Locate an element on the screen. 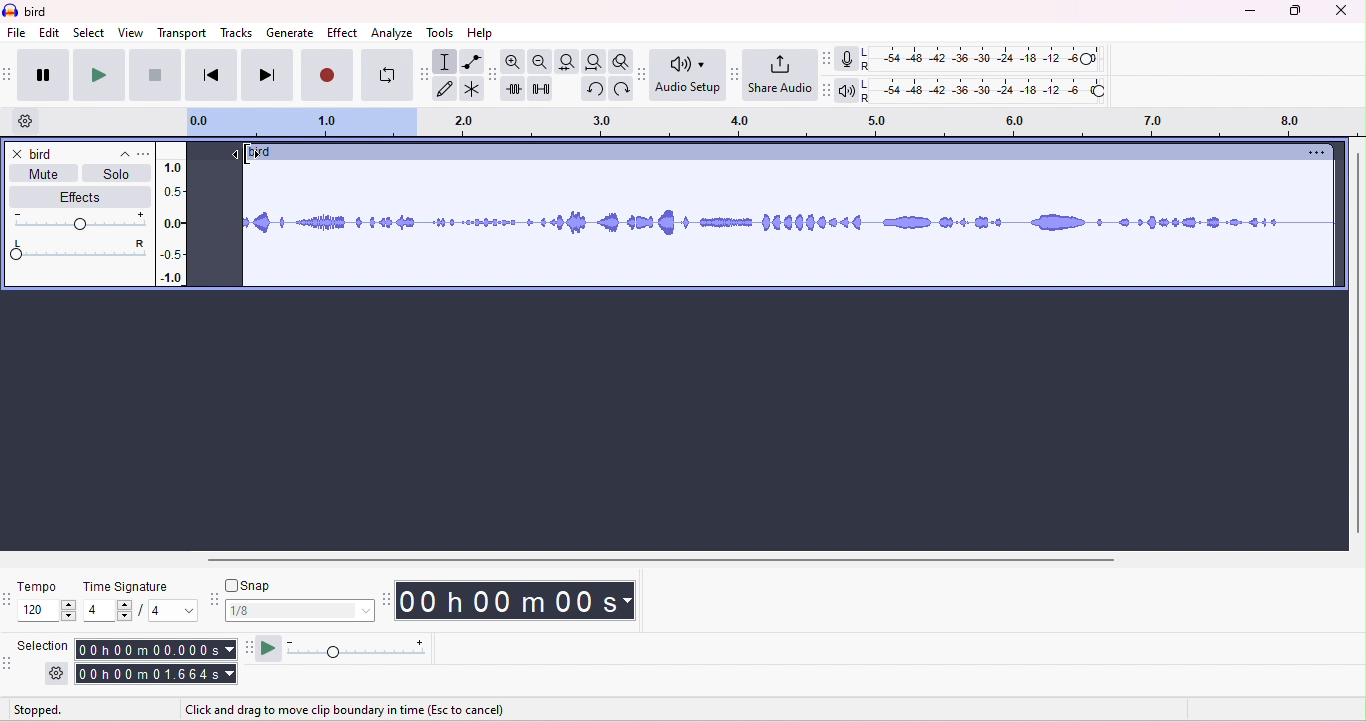 Image resolution: width=1366 pixels, height=722 pixels. time signature is located at coordinates (125, 587).